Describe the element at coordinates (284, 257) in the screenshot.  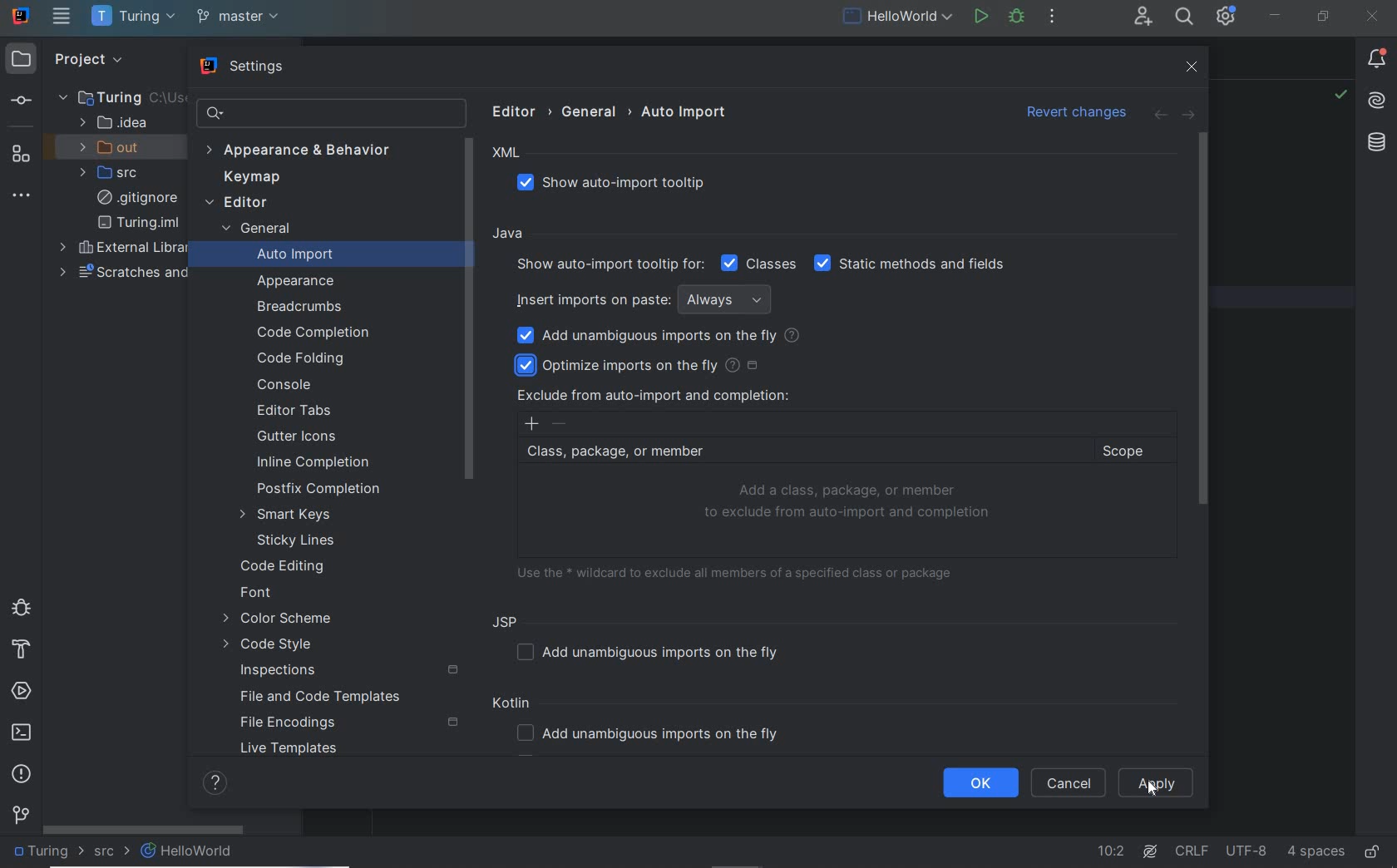
I see `AUTO IMPORT` at that location.